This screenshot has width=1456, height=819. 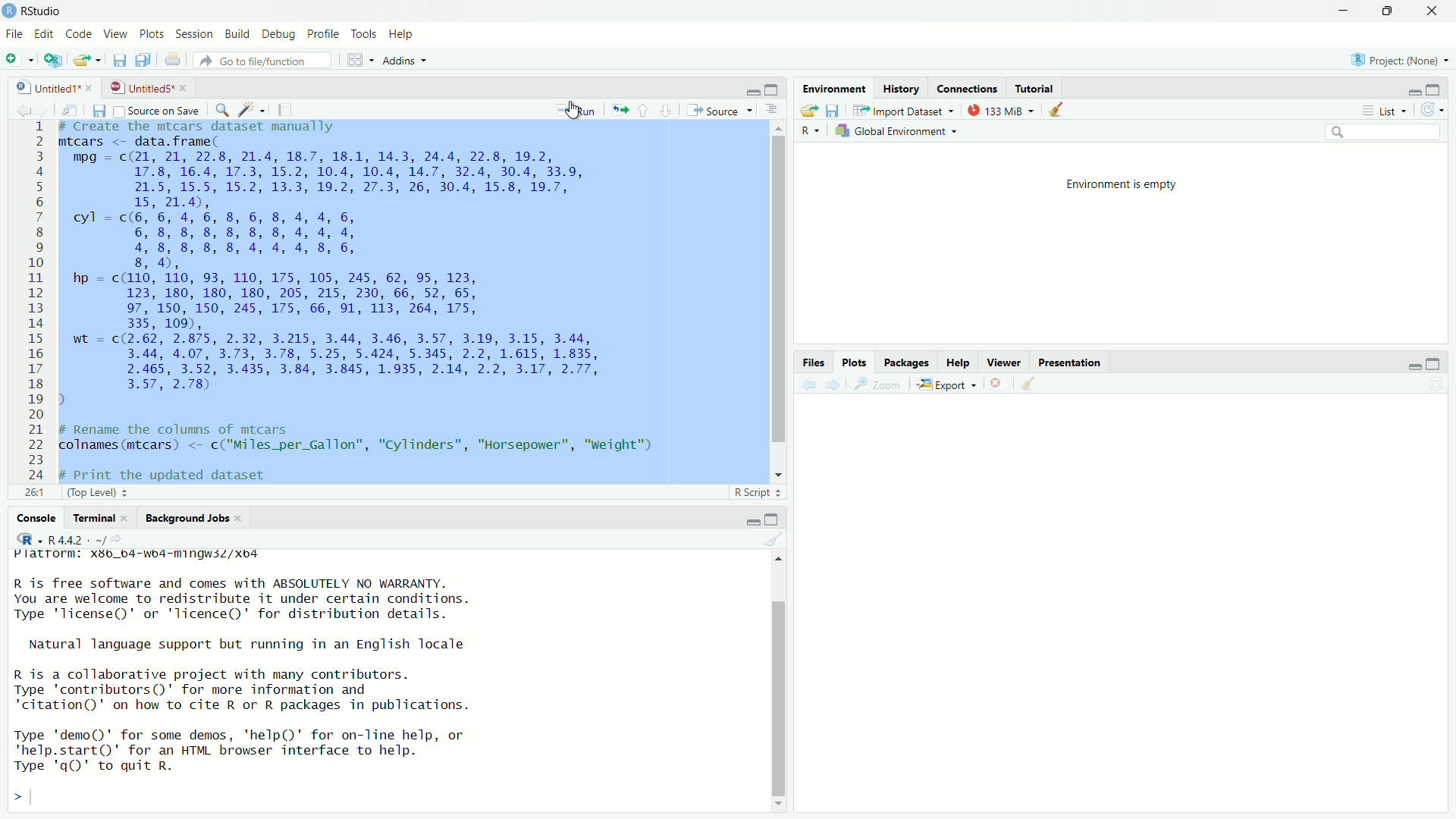 I want to click on minimise, so click(x=753, y=90).